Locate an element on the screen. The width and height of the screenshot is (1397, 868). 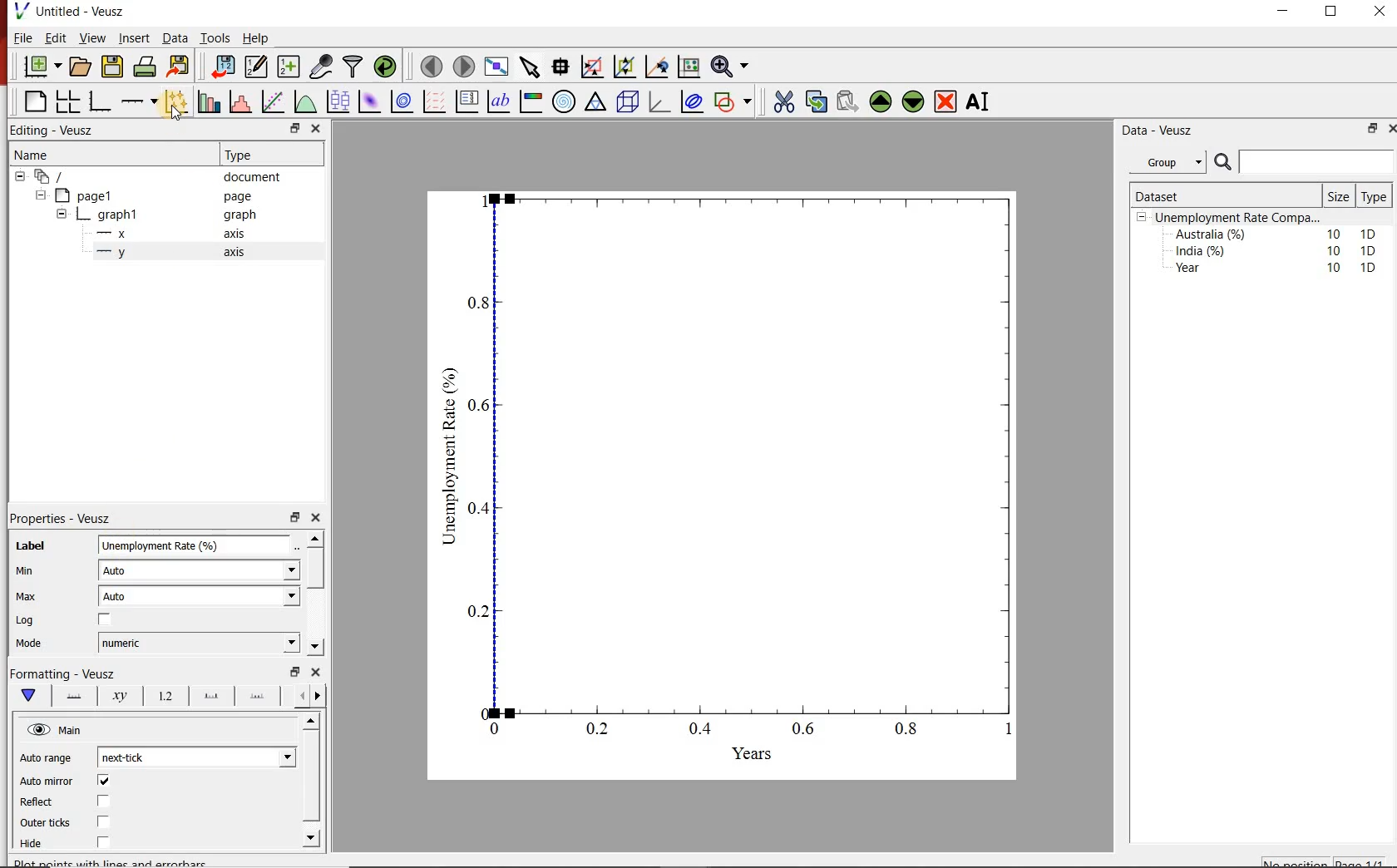
Australia (%) 10 1D is located at coordinates (1277, 234).